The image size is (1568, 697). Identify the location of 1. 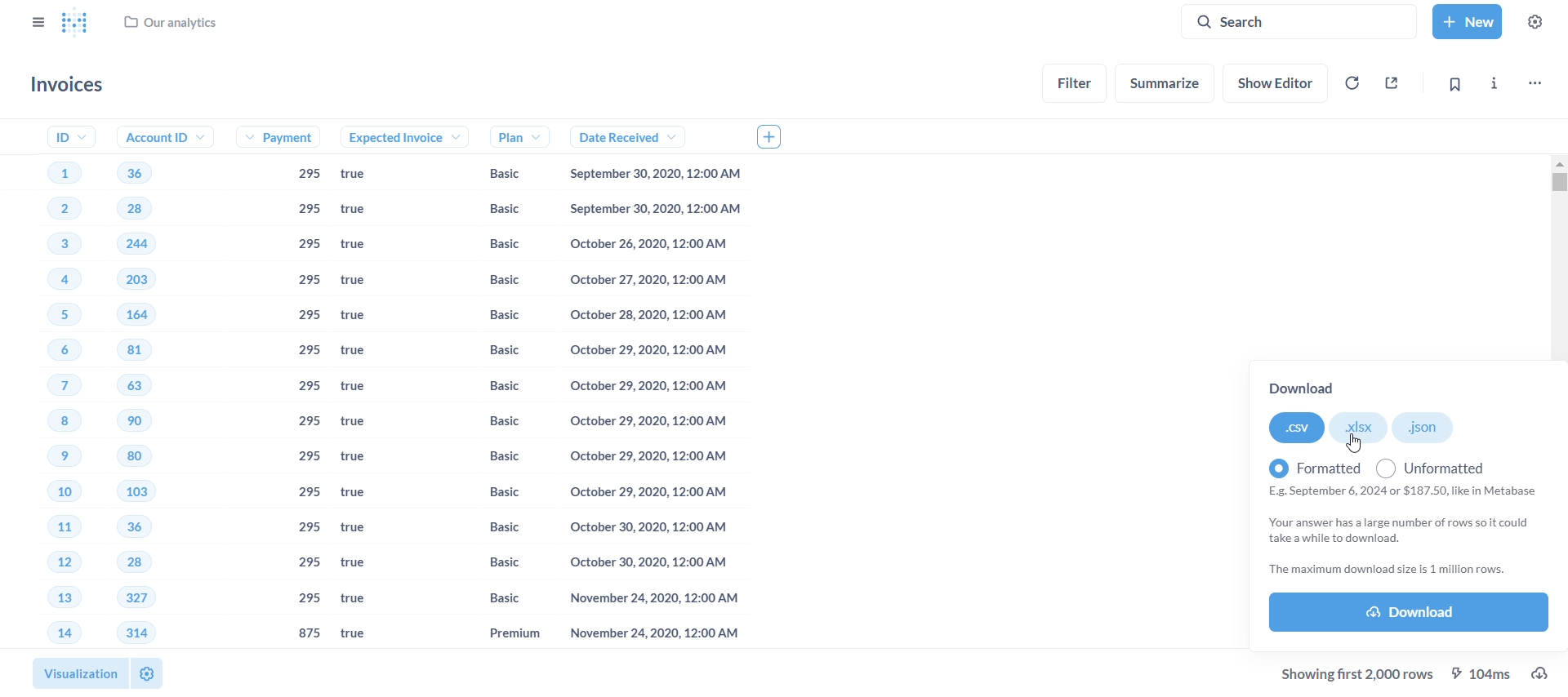
(60, 171).